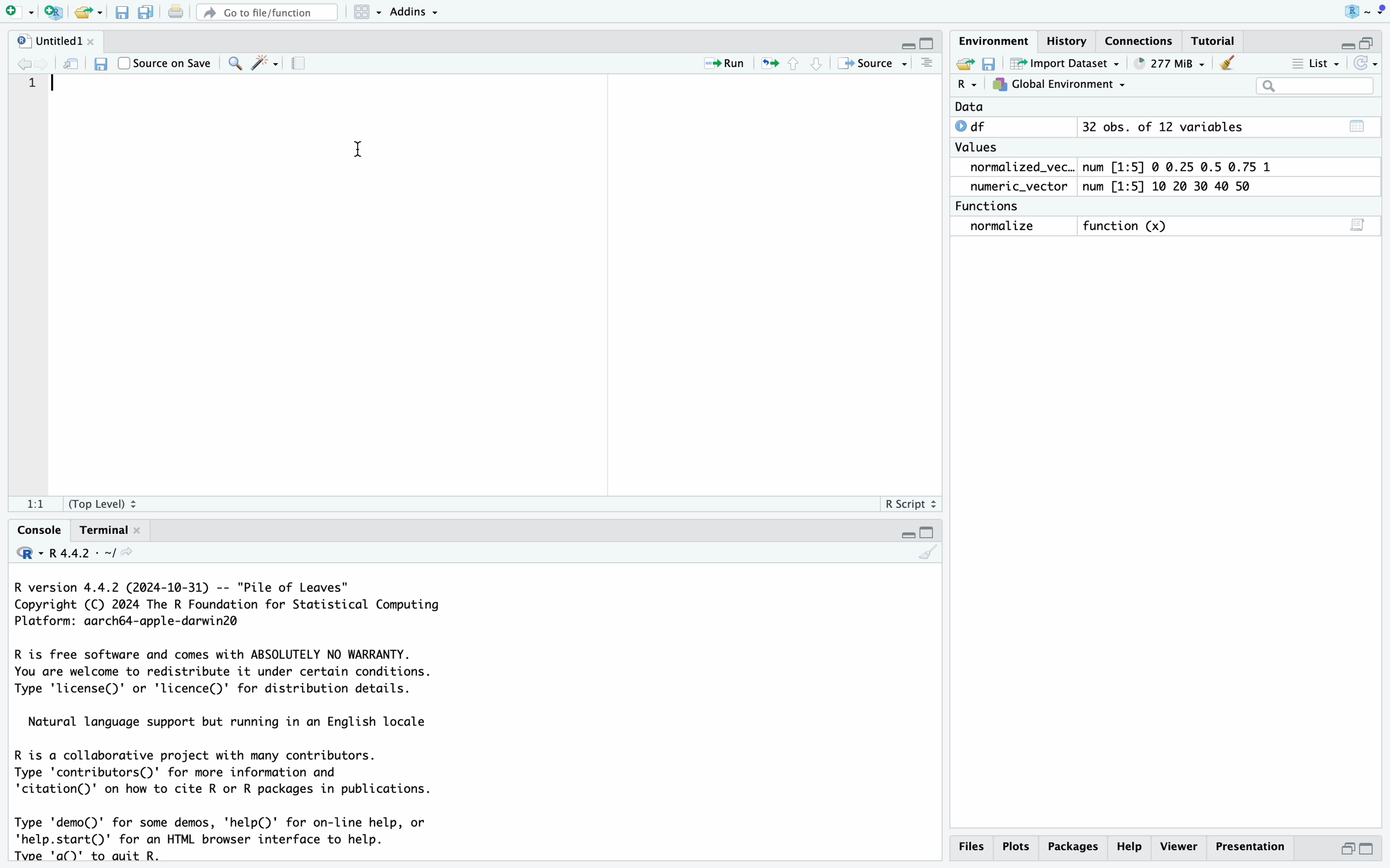  Describe the element at coordinates (976, 126) in the screenshot. I see `0 df` at that location.